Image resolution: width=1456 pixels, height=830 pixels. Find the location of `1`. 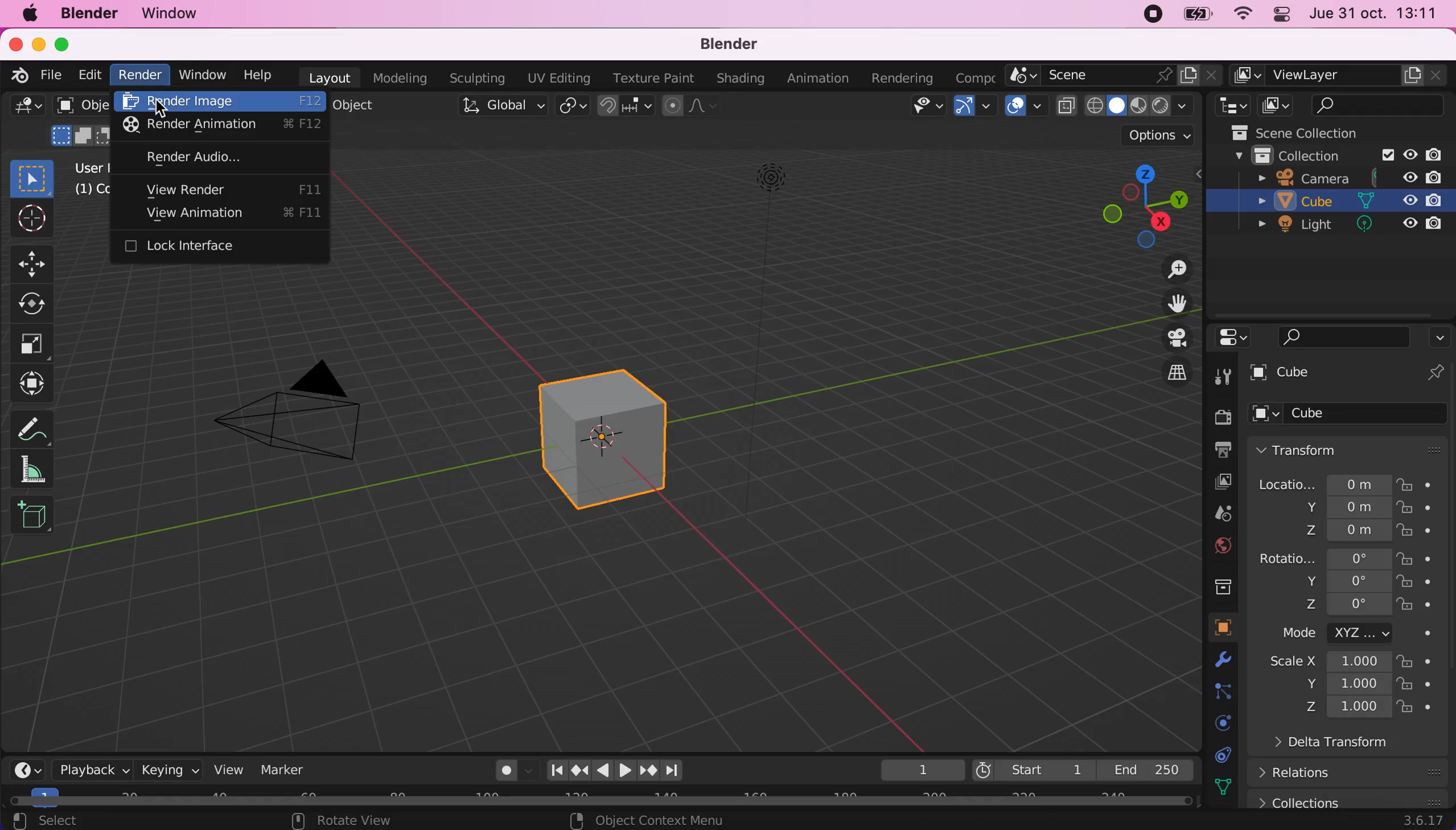

1 is located at coordinates (916, 770).